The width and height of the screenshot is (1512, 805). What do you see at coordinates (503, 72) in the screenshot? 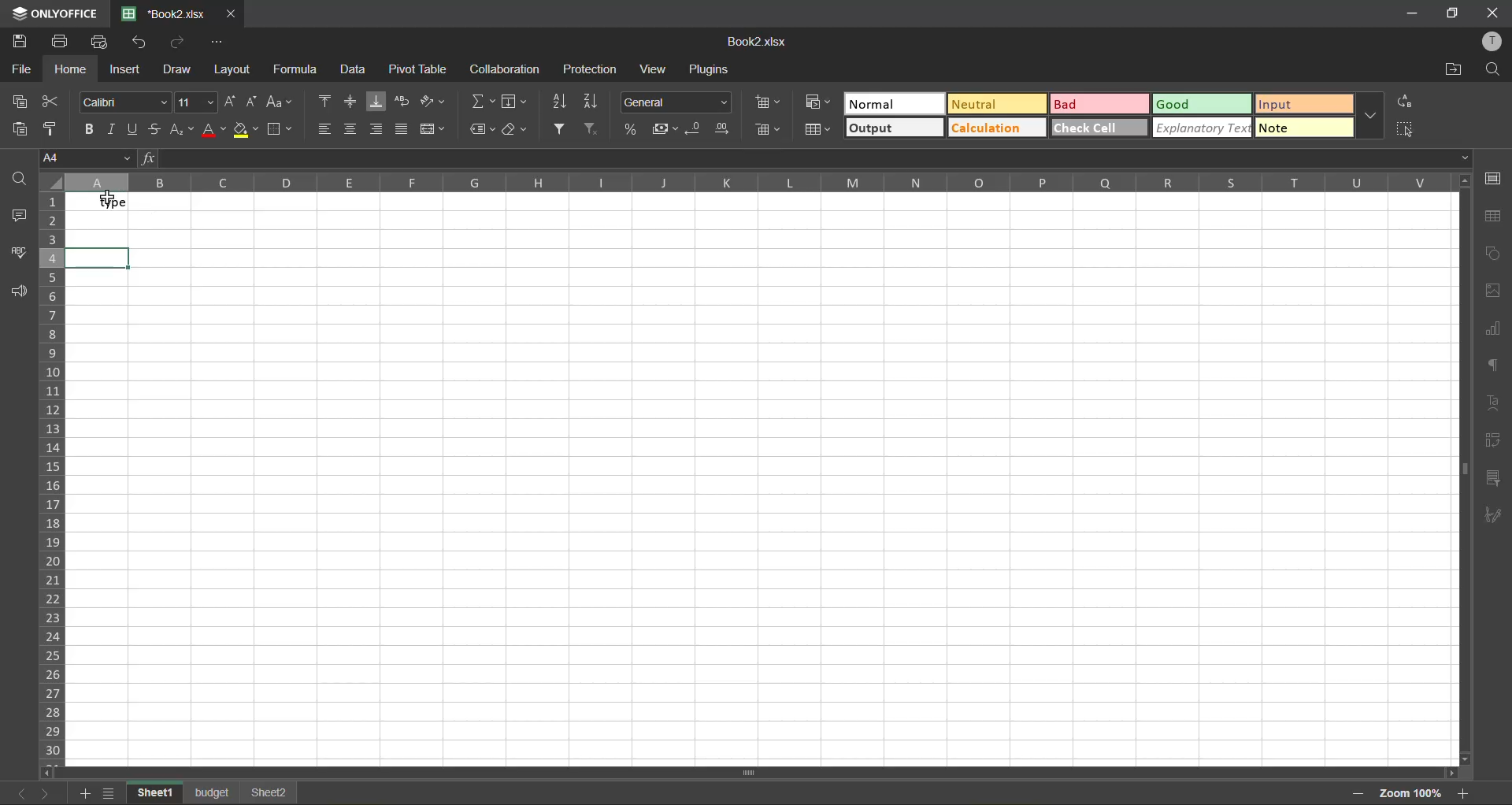
I see `collaboration` at bounding box center [503, 72].